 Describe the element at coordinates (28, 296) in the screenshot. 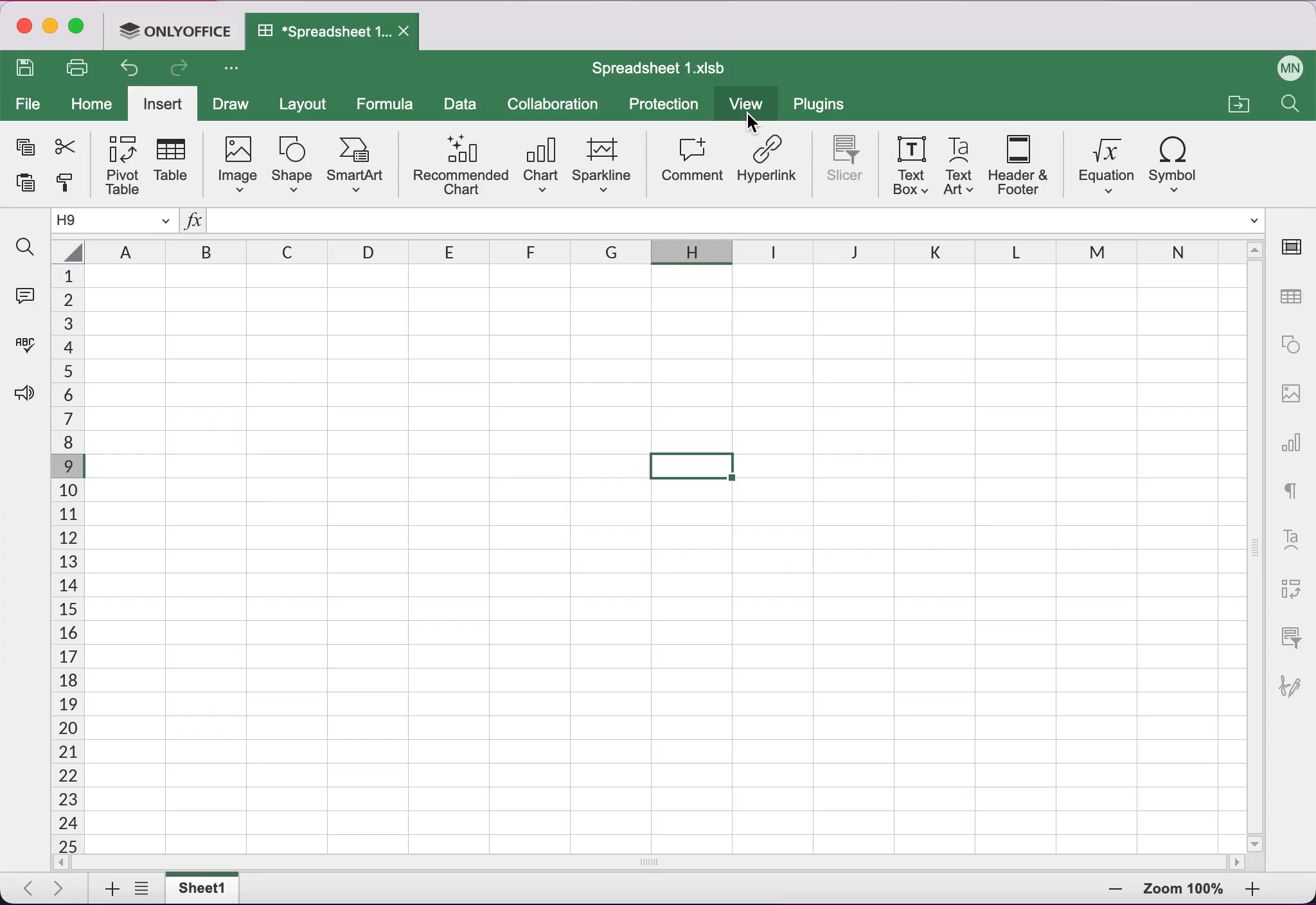

I see `comments` at that location.